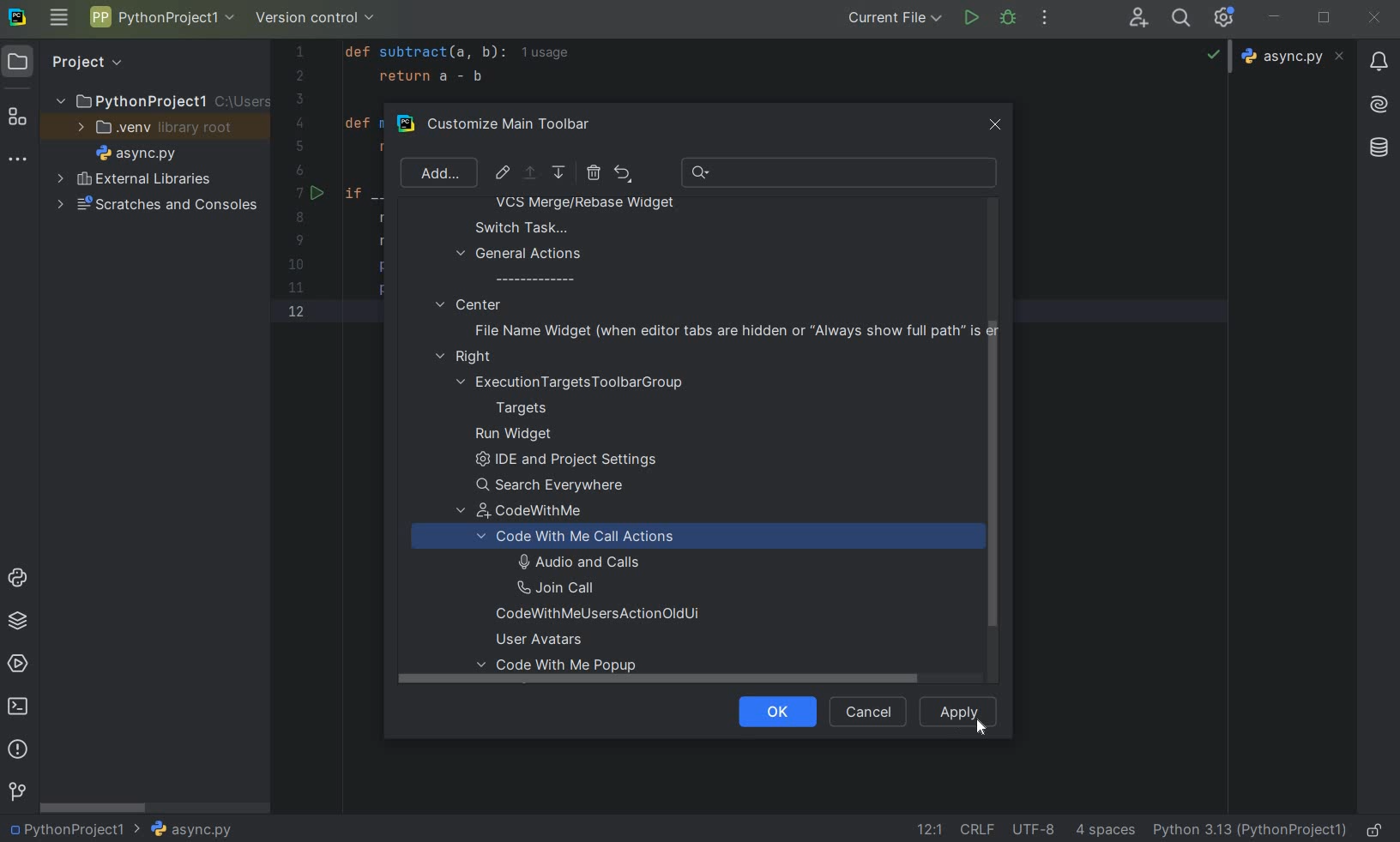 The width and height of the screenshot is (1400, 842). I want to click on ide and project settings, so click(563, 462).